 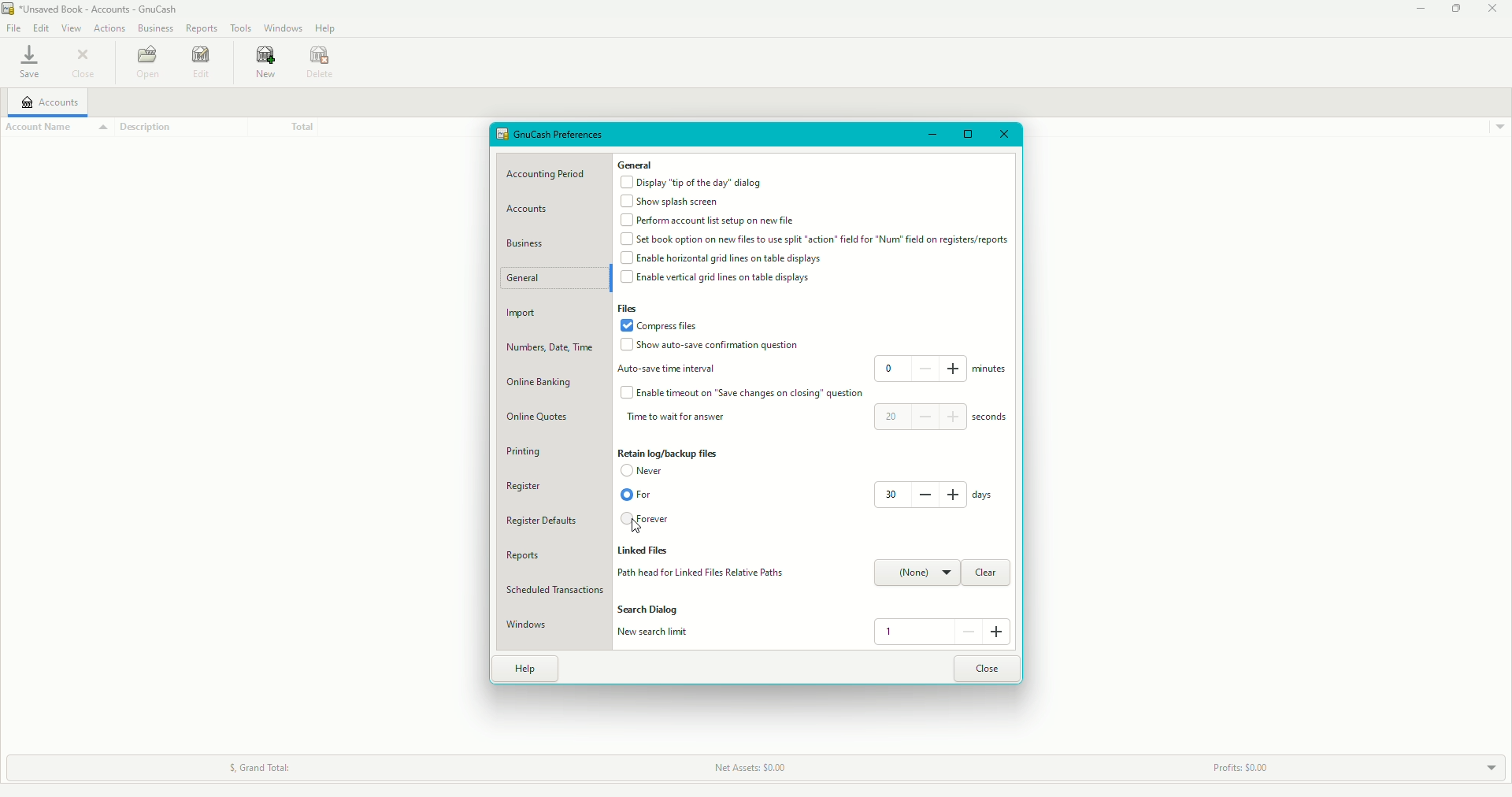 I want to click on New search limit, so click(x=654, y=633).